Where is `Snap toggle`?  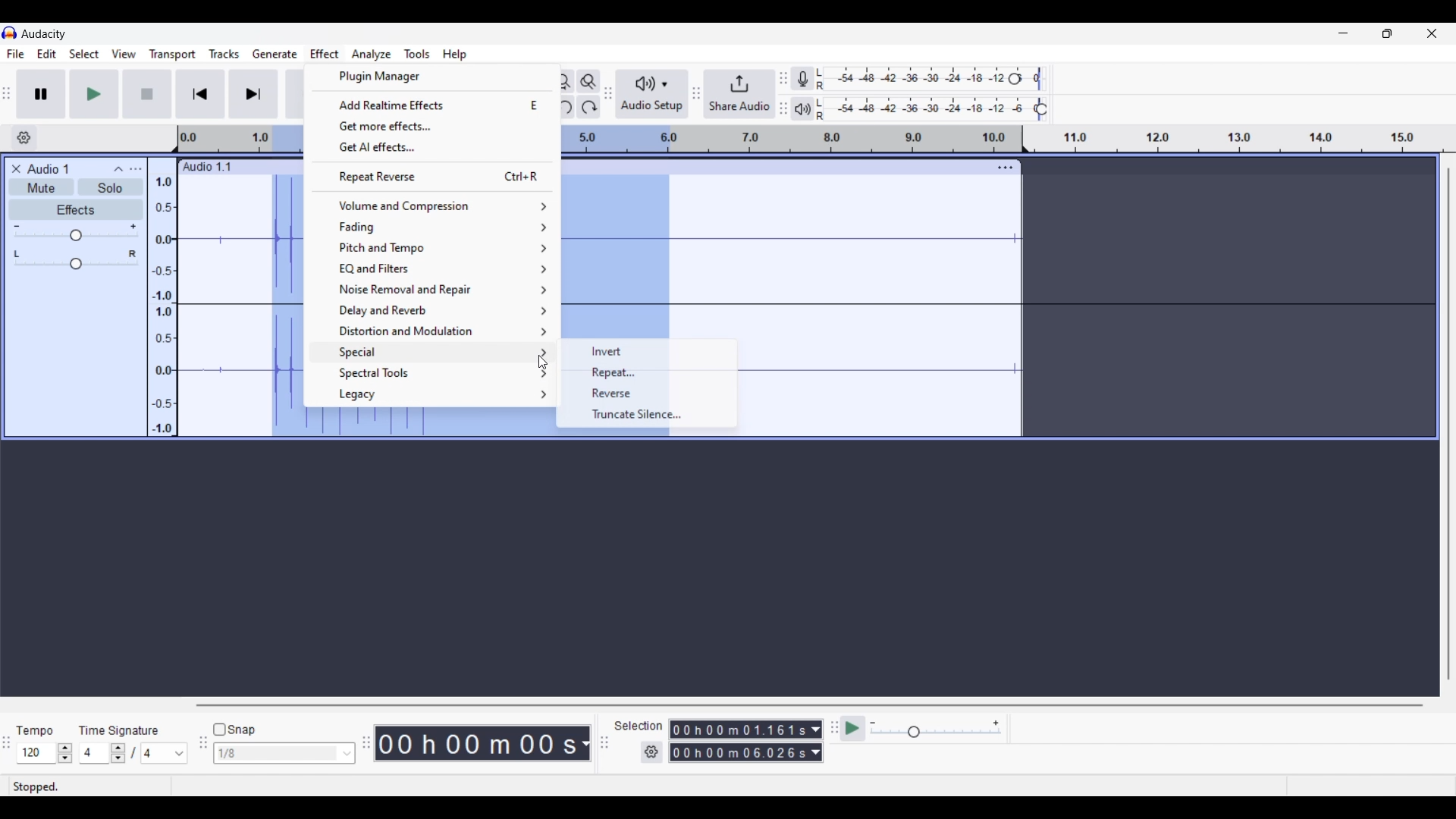
Snap toggle is located at coordinates (234, 730).